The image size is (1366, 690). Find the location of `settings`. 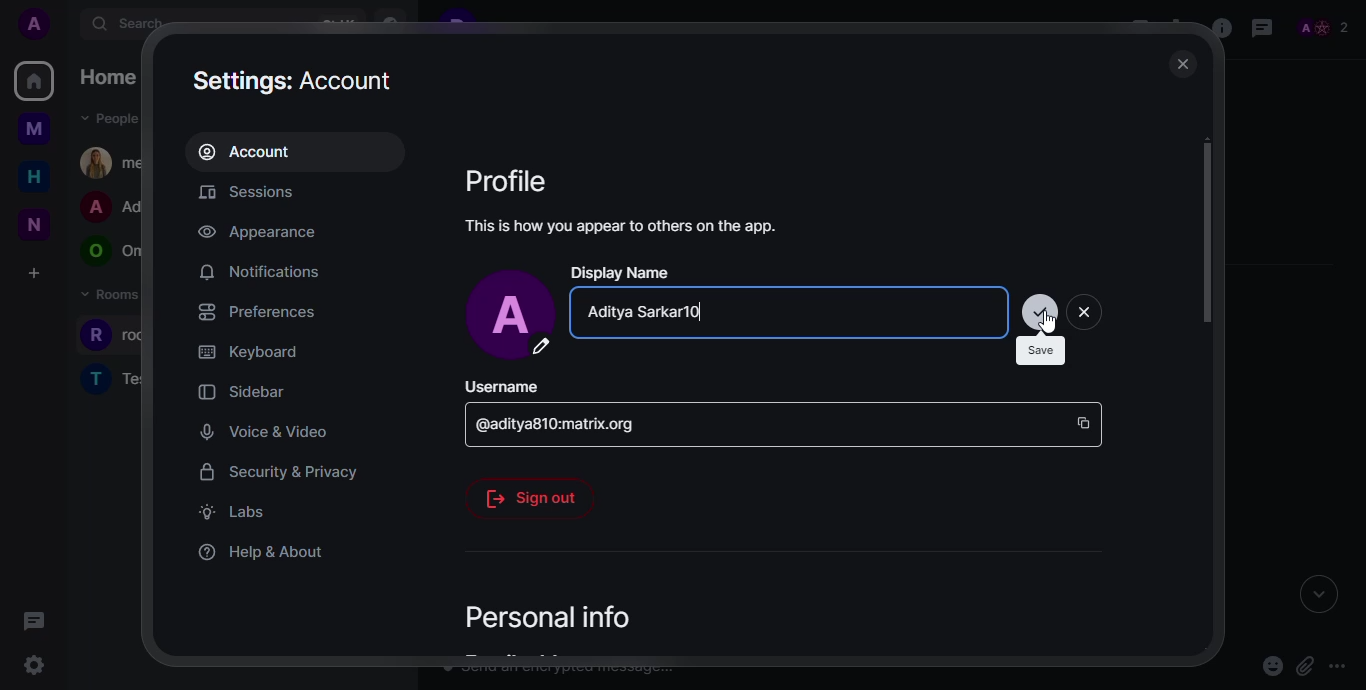

settings is located at coordinates (296, 79).